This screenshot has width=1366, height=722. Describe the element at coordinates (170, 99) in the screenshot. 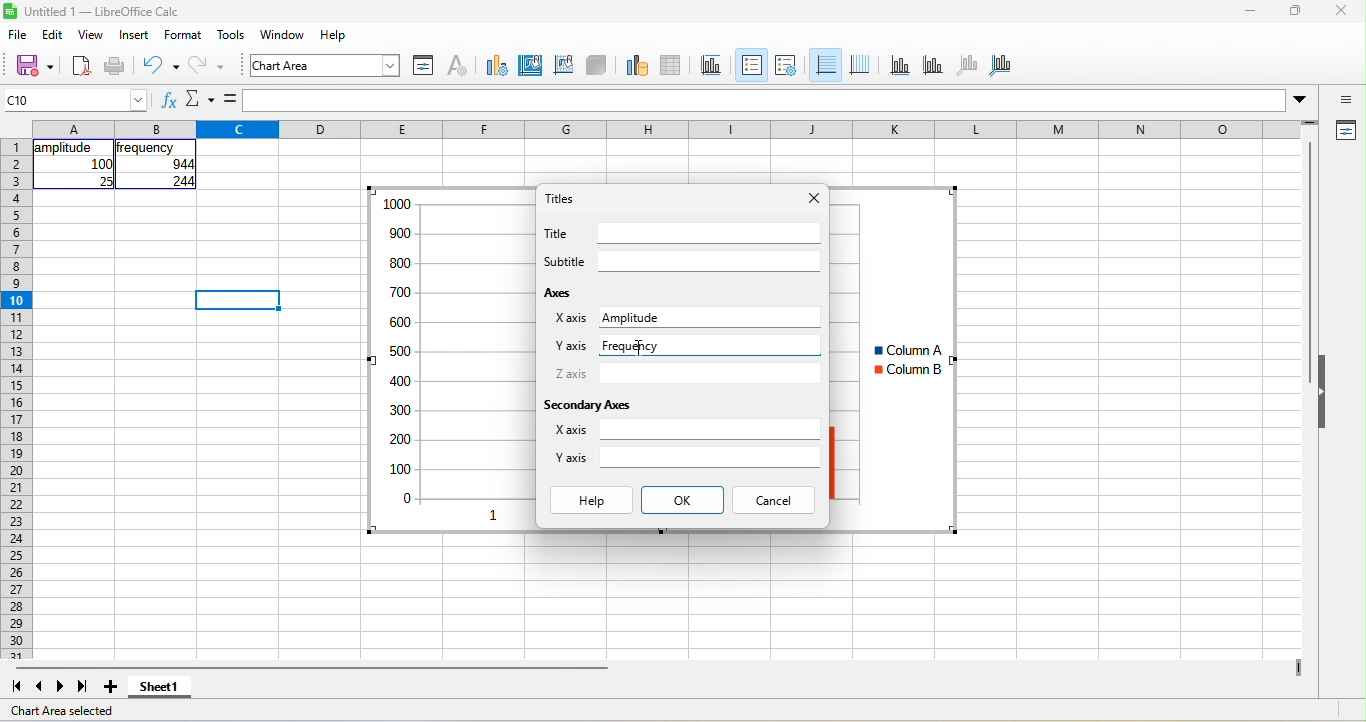

I see `fx` at that location.